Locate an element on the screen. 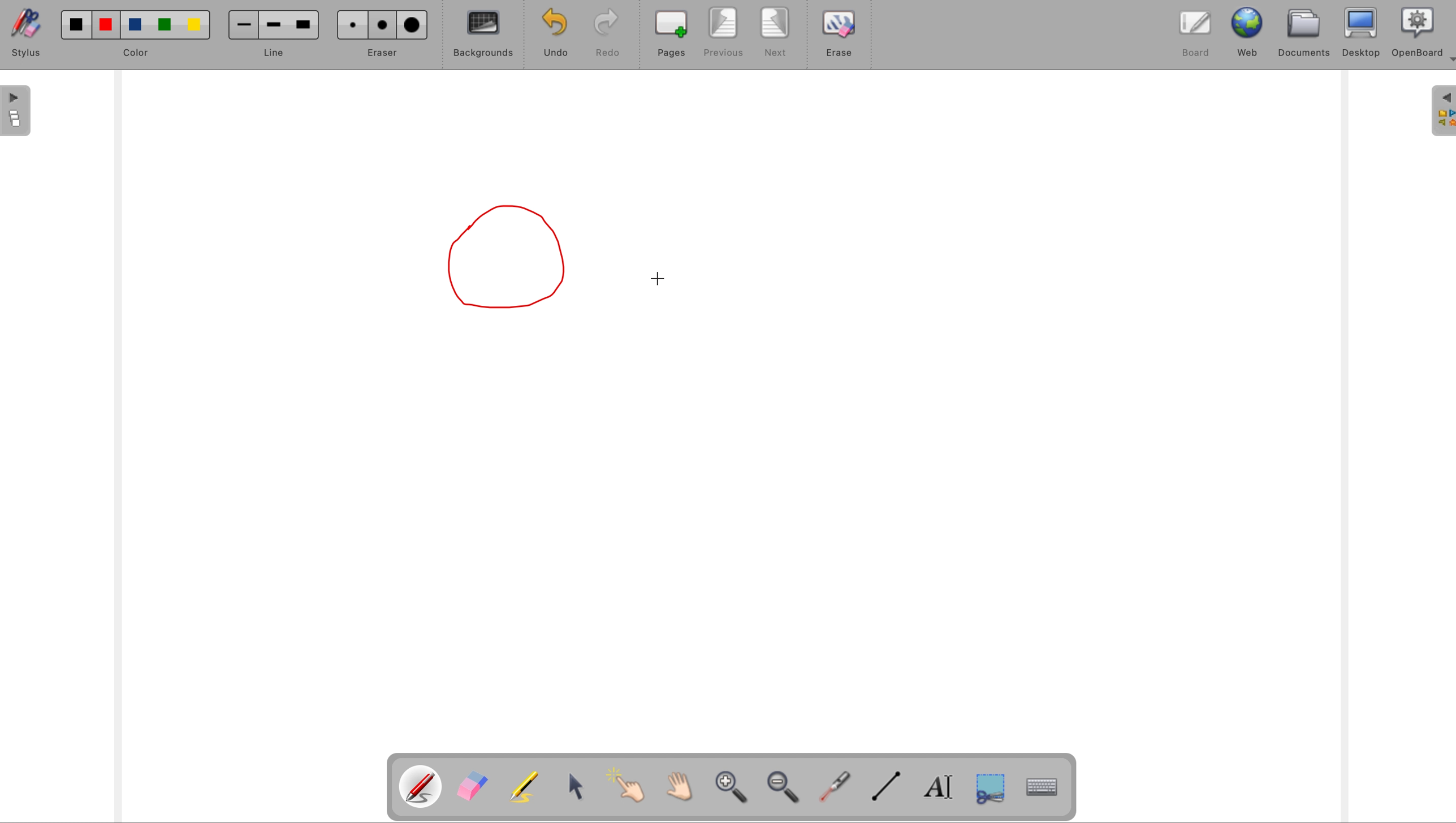 The height and width of the screenshot is (823, 1456). pen is located at coordinates (421, 787).